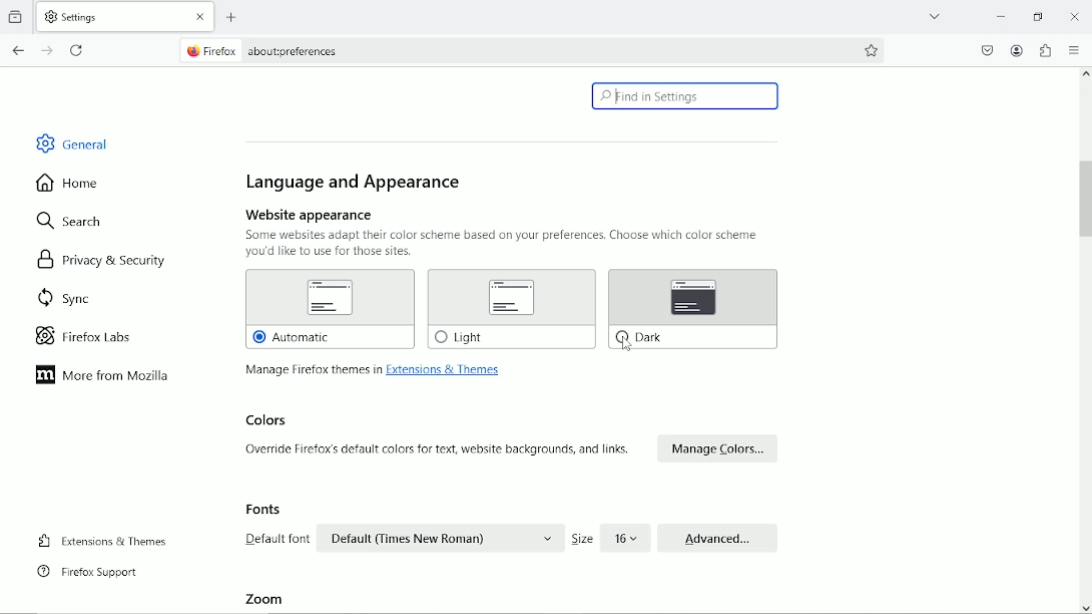  What do you see at coordinates (70, 141) in the screenshot?
I see `general` at bounding box center [70, 141].